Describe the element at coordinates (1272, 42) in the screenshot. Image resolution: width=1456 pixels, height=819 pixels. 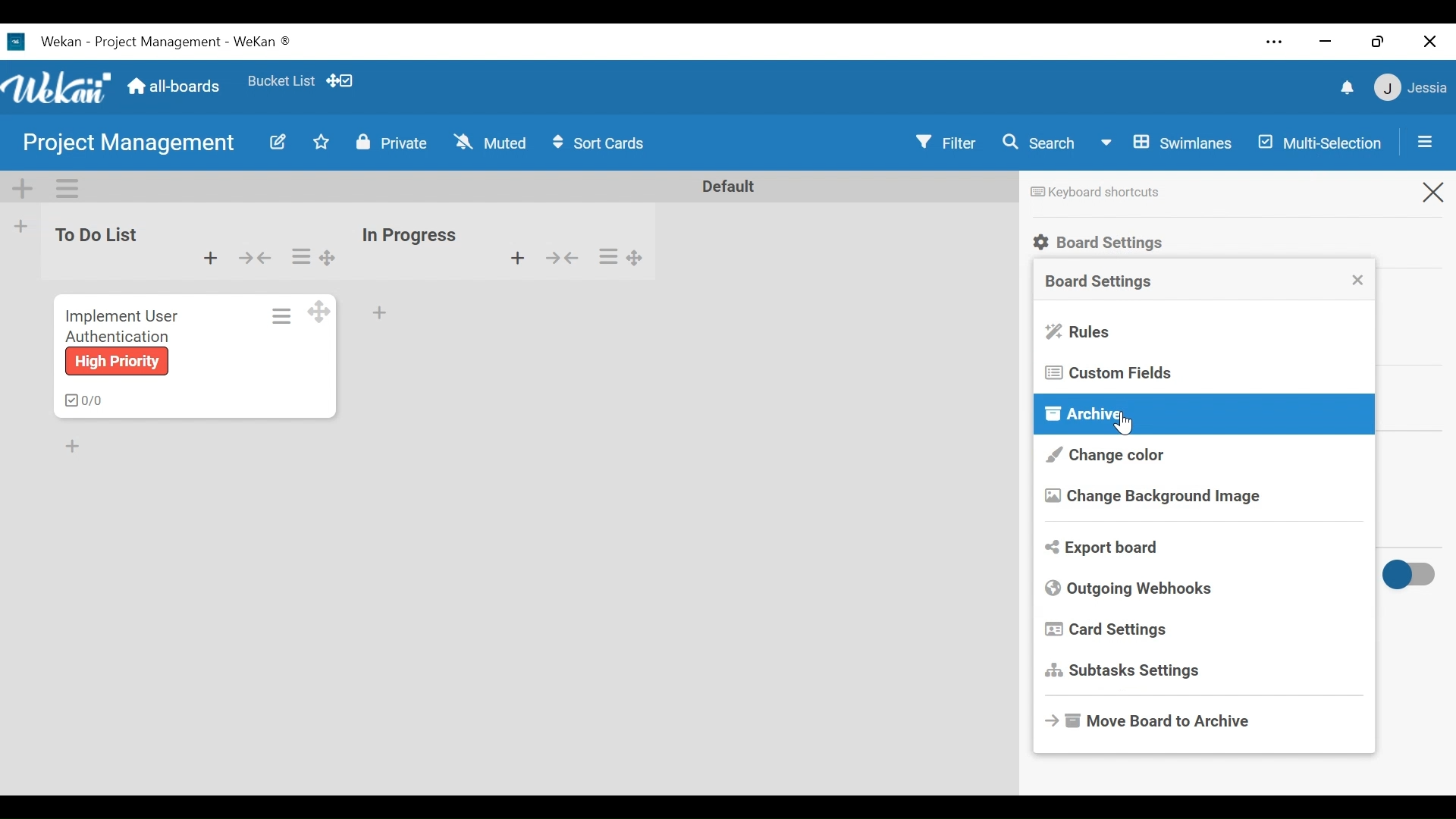
I see `settings and more` at that location.